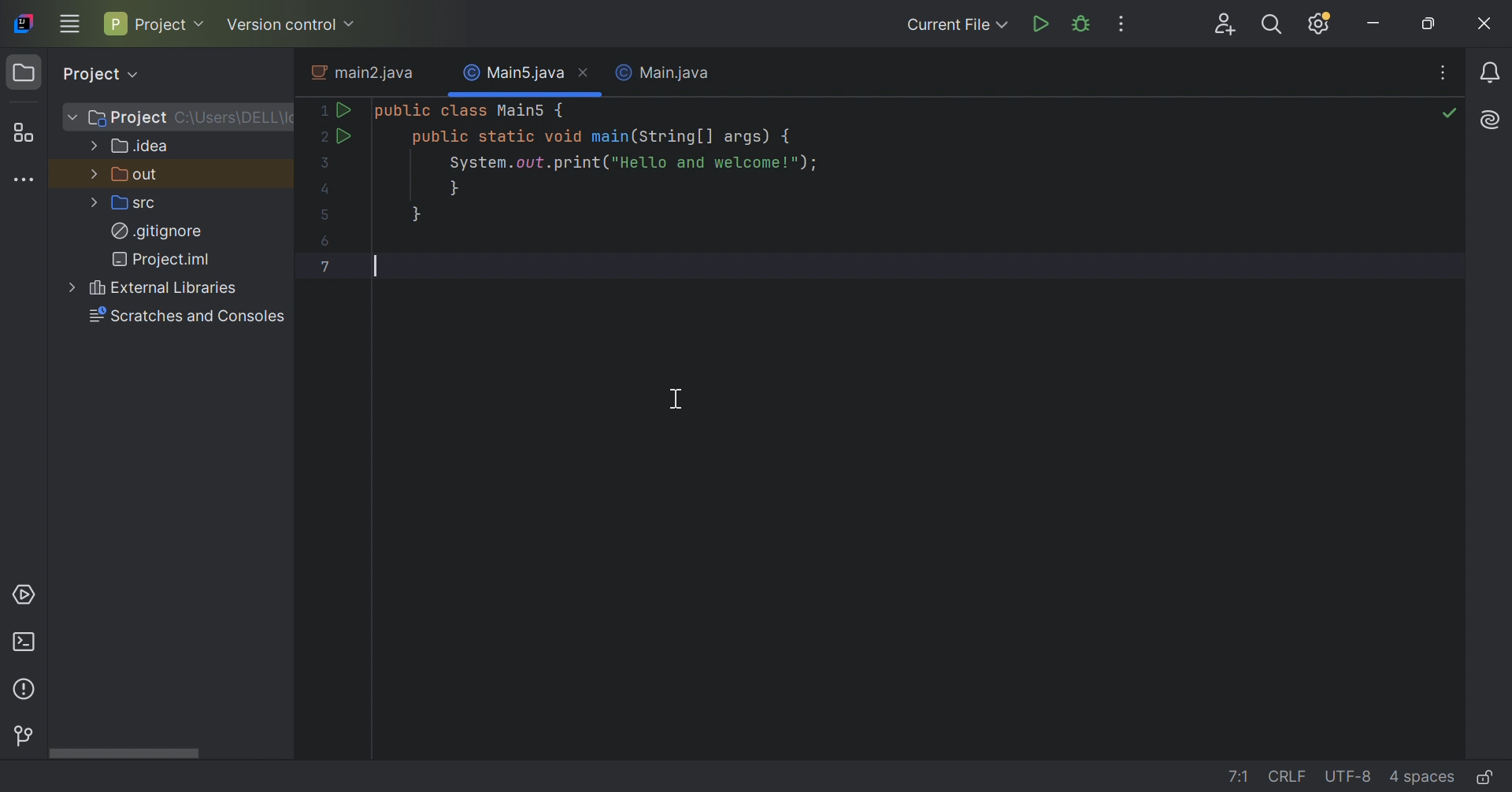  What do you see at coordinates (661, 72) in the screenshot?
I see `Main.java` at bounding box center [661, 72].